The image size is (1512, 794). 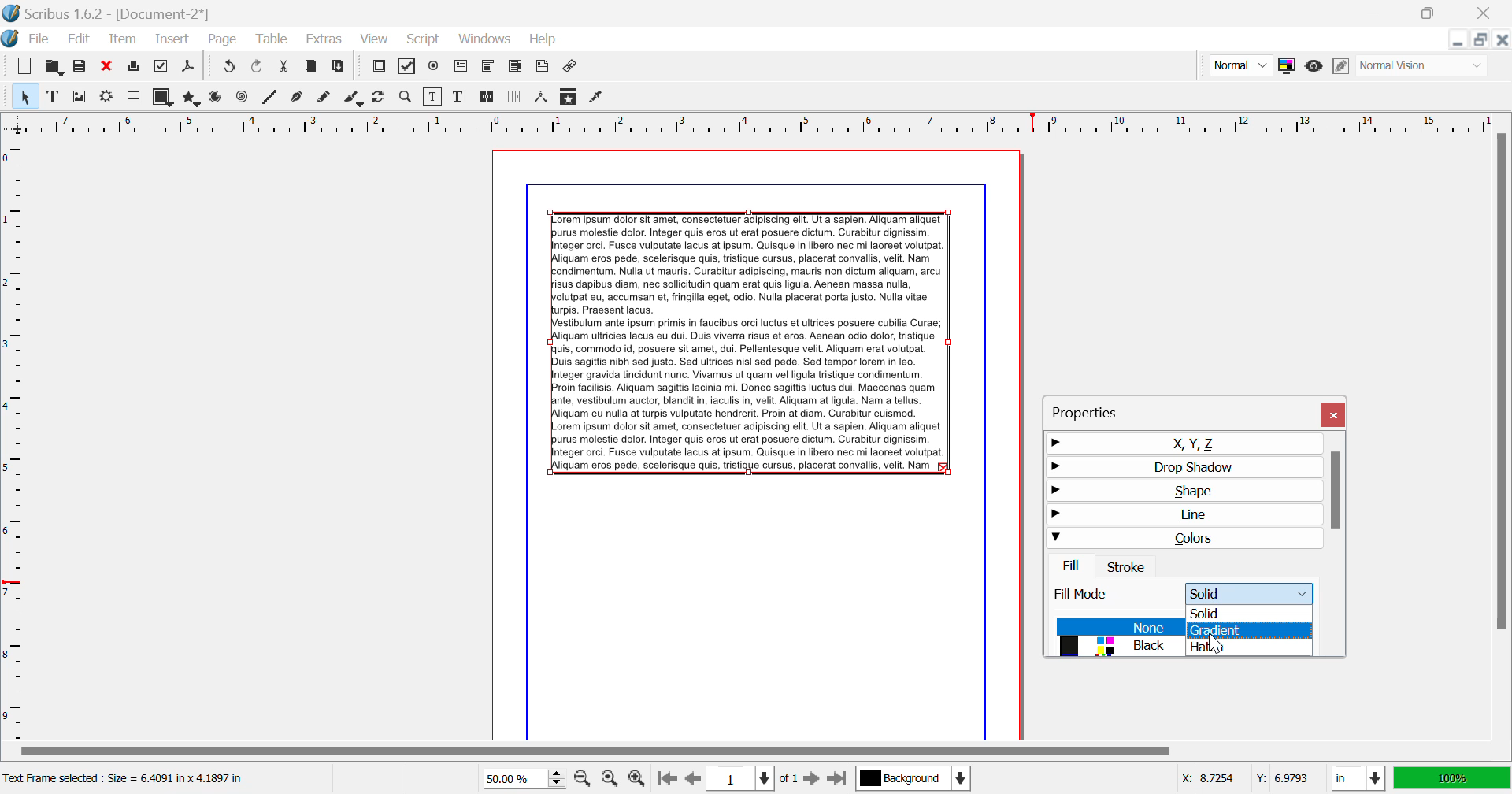 I want to click on Table, so click(x=273, y=40).